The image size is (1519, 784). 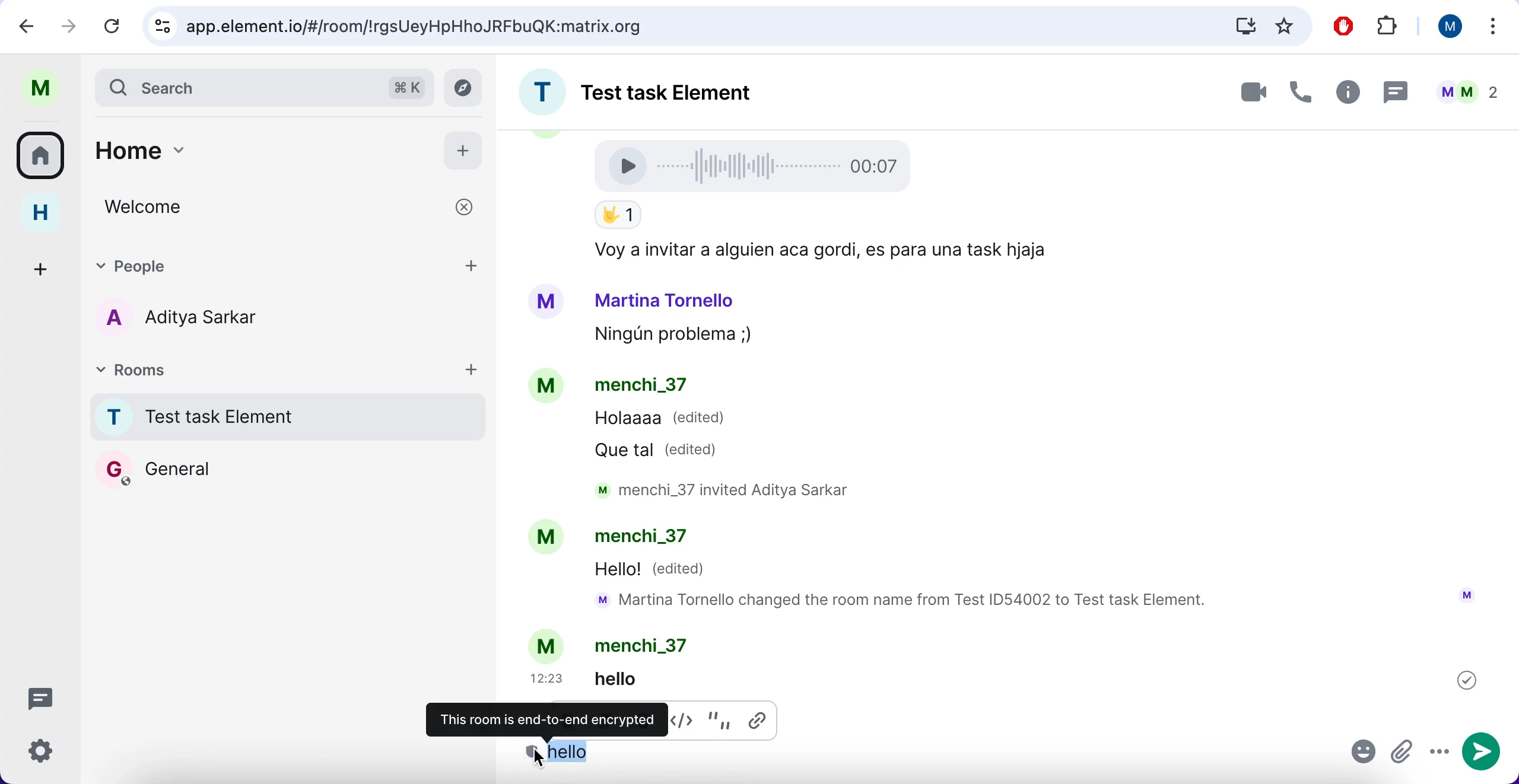 I want to click on home, so click(x=247, y=157).